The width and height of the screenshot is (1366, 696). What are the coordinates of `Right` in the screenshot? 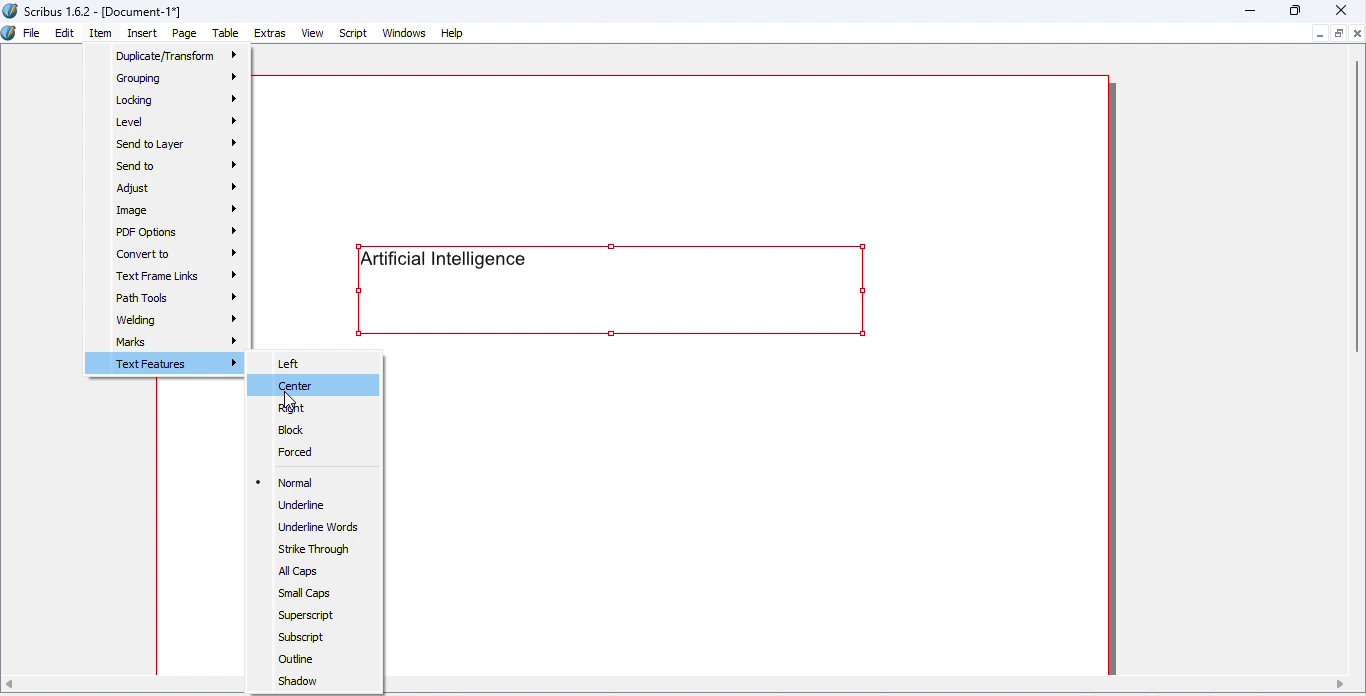 It's located at (291, 408).